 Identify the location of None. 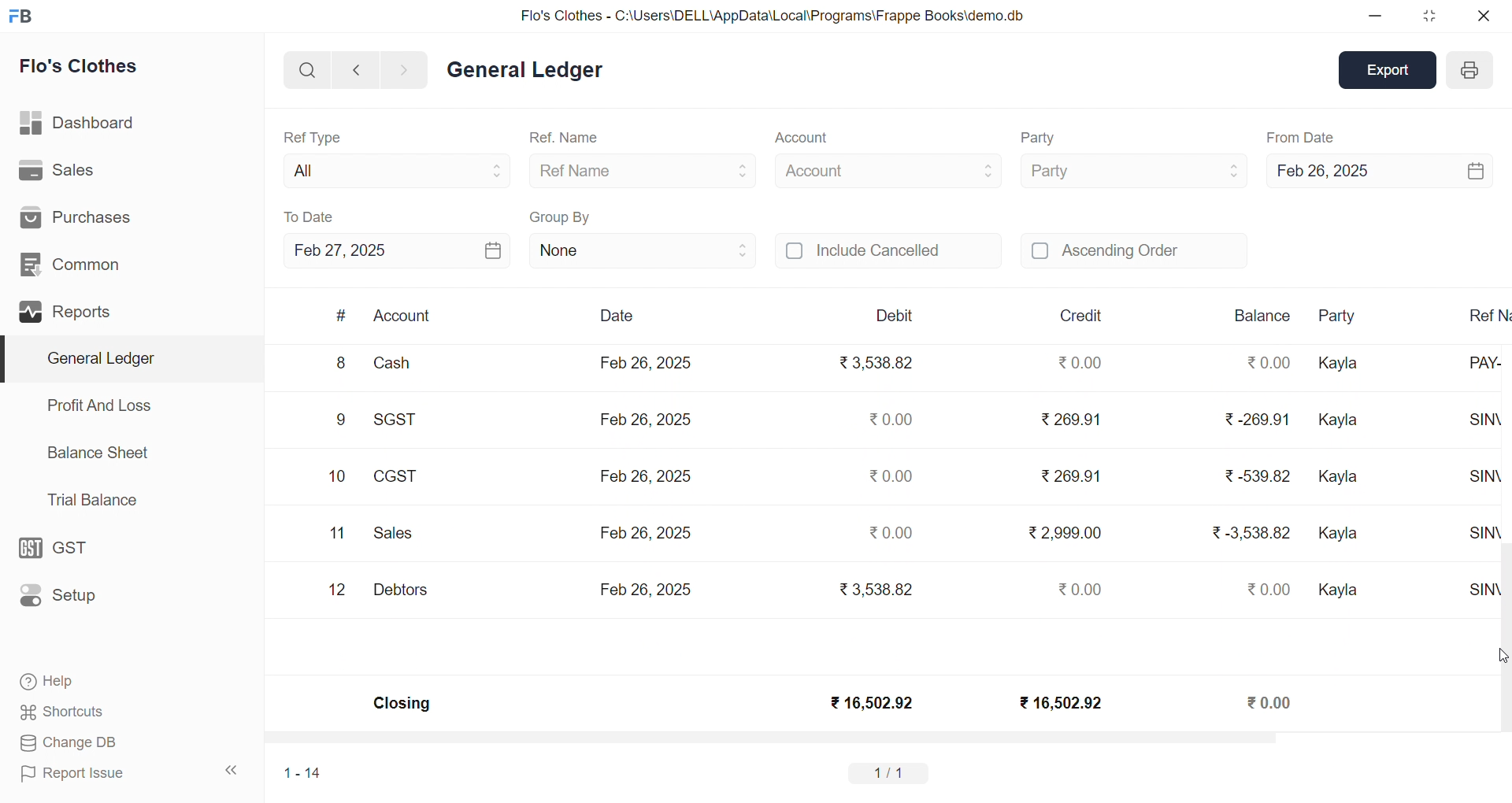
(643, 250).